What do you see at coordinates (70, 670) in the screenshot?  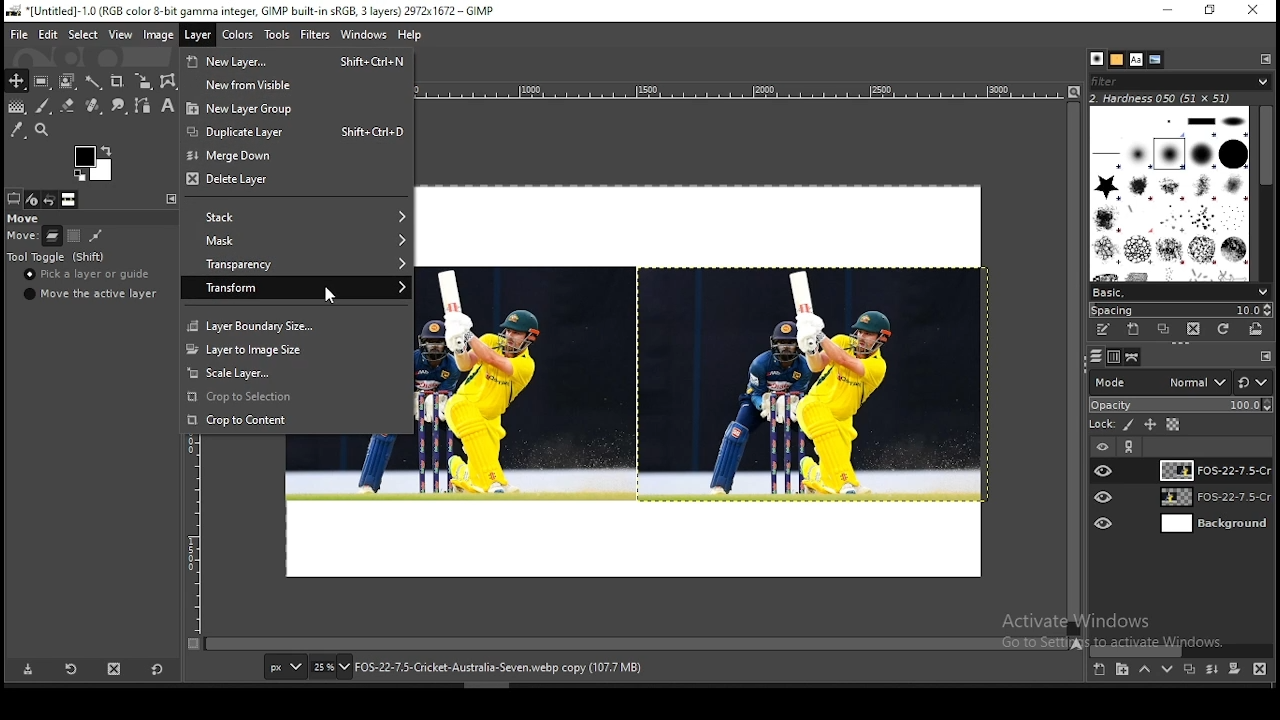 I see `restore tool preset` at bounding box center [70, 670].